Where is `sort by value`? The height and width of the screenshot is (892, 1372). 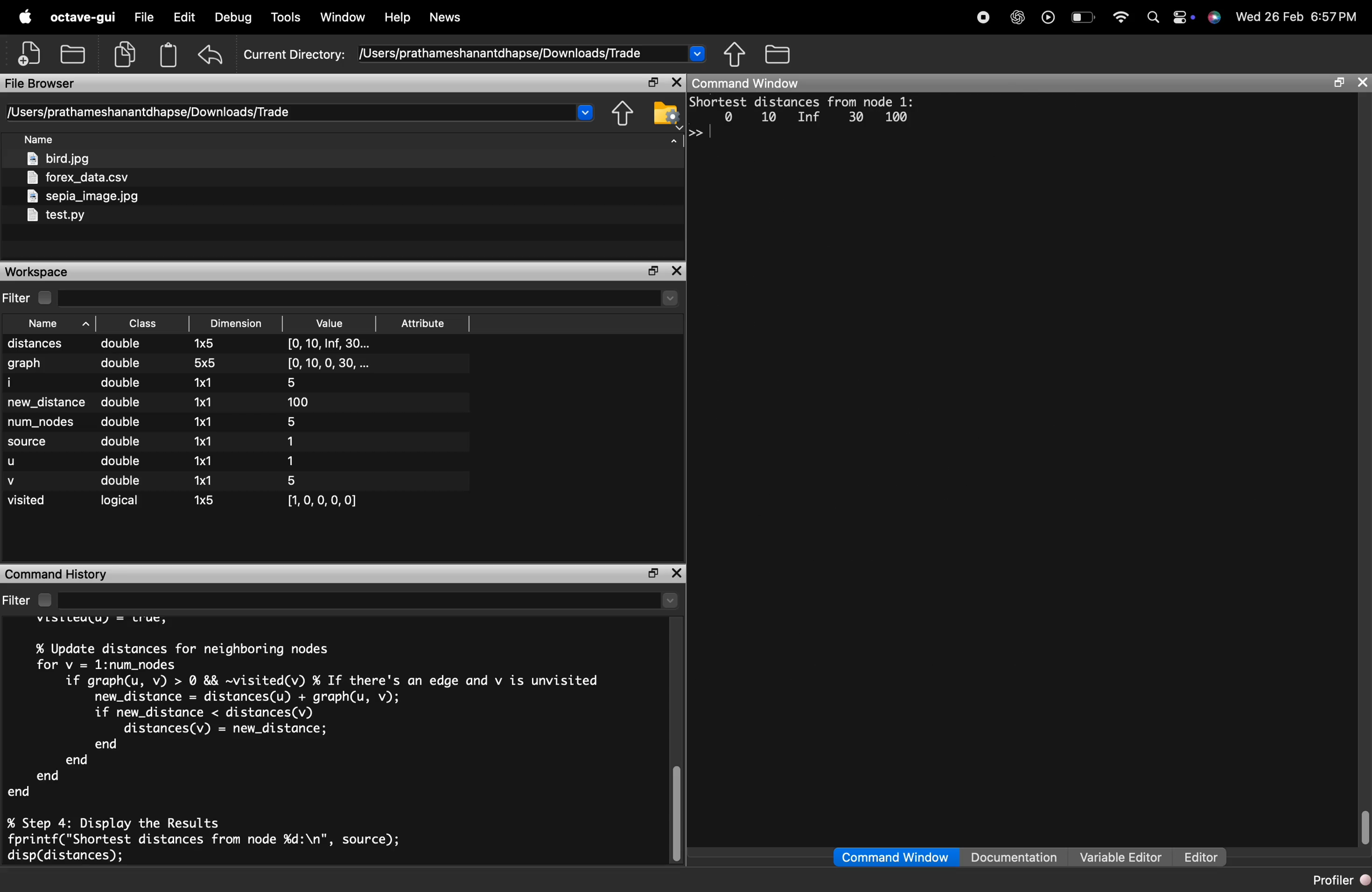
sort by value is located at coordinates (330, 324).